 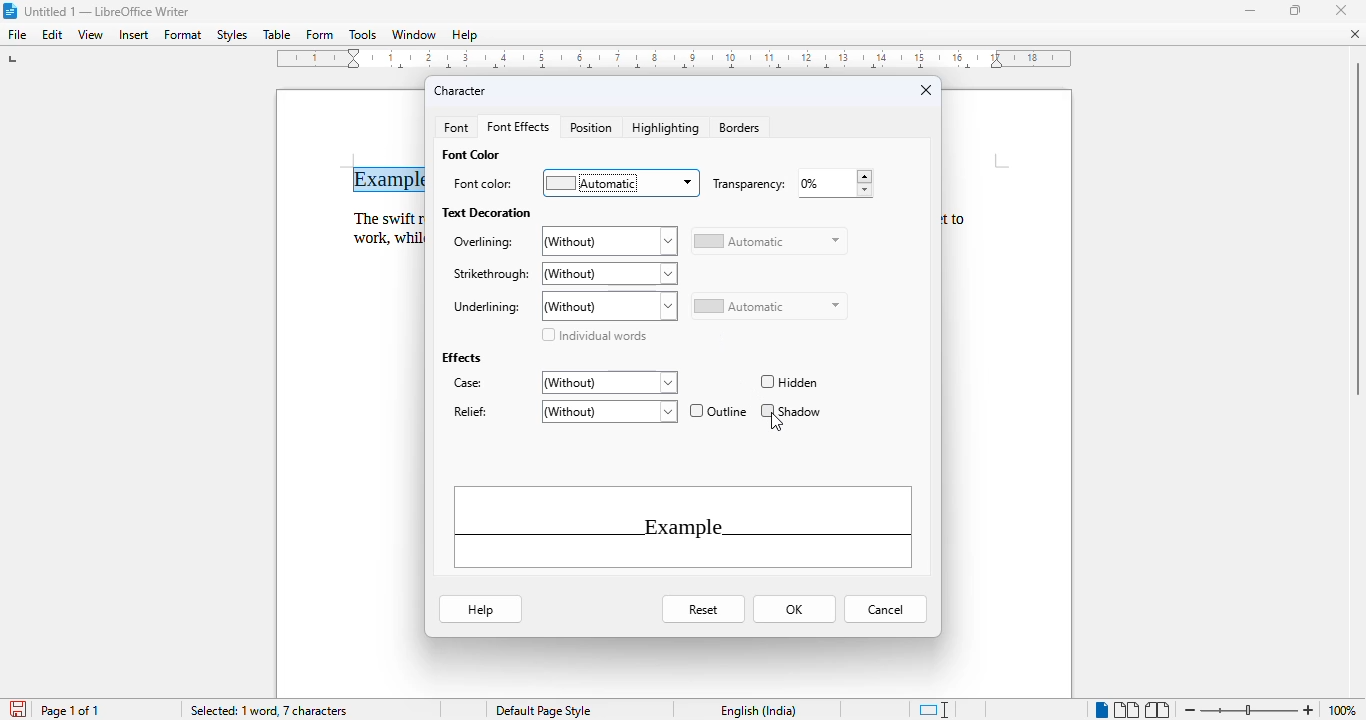 I want to click on effects, so click(x=460, y=357).